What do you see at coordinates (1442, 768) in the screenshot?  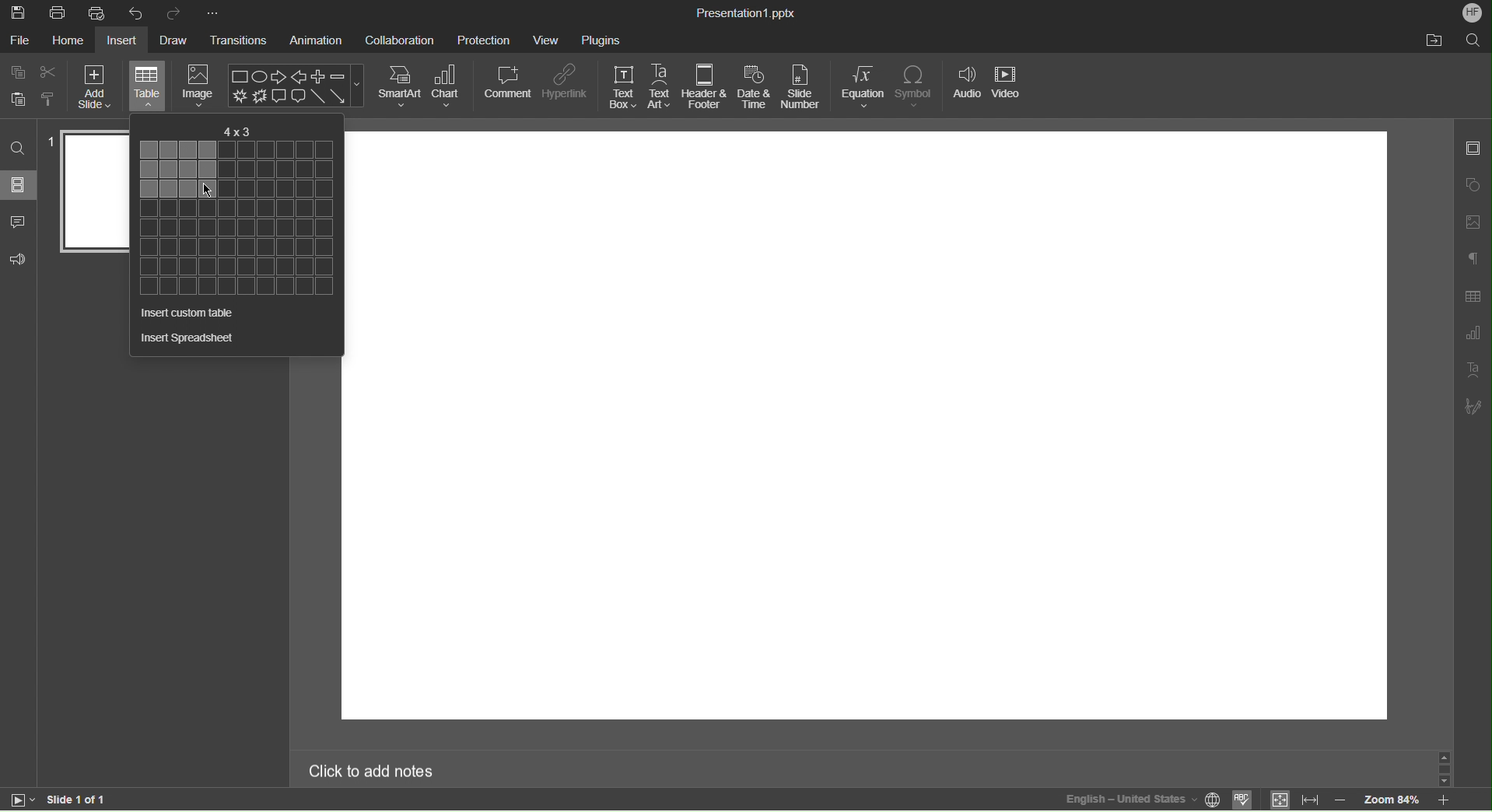 I see `scroll bar` at bounding box center [1442, 768].